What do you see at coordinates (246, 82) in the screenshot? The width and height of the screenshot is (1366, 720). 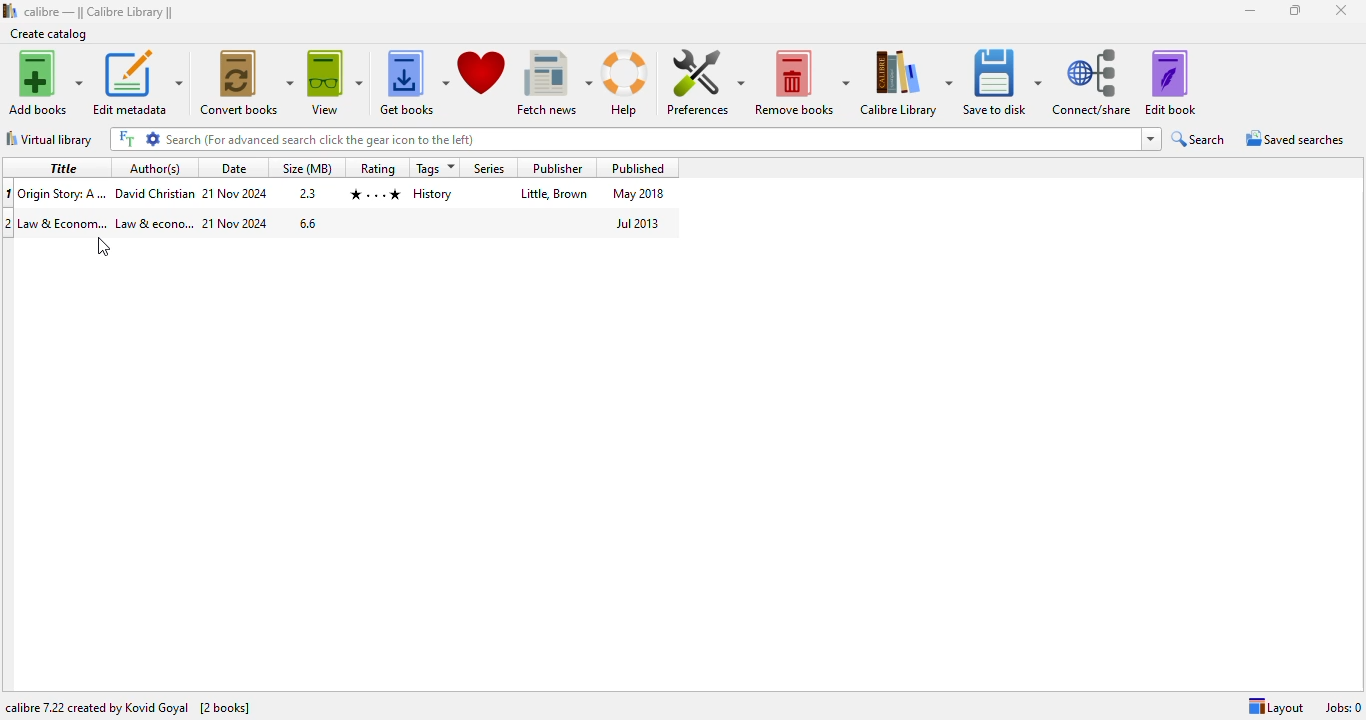 I see `convert books` at bounding box center [246, 82].